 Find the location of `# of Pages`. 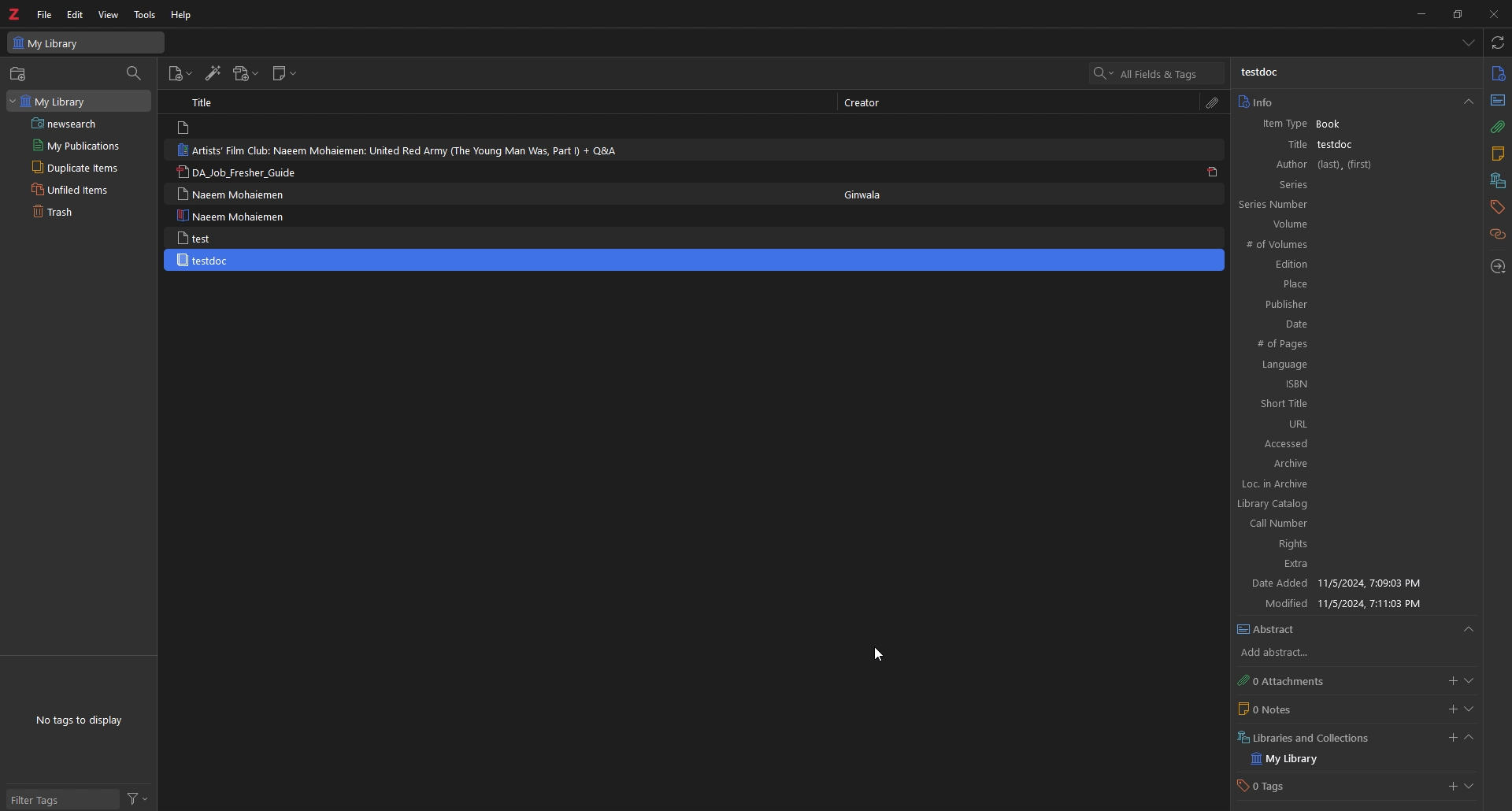

# of Pages is located at coordinates (1348, 345).